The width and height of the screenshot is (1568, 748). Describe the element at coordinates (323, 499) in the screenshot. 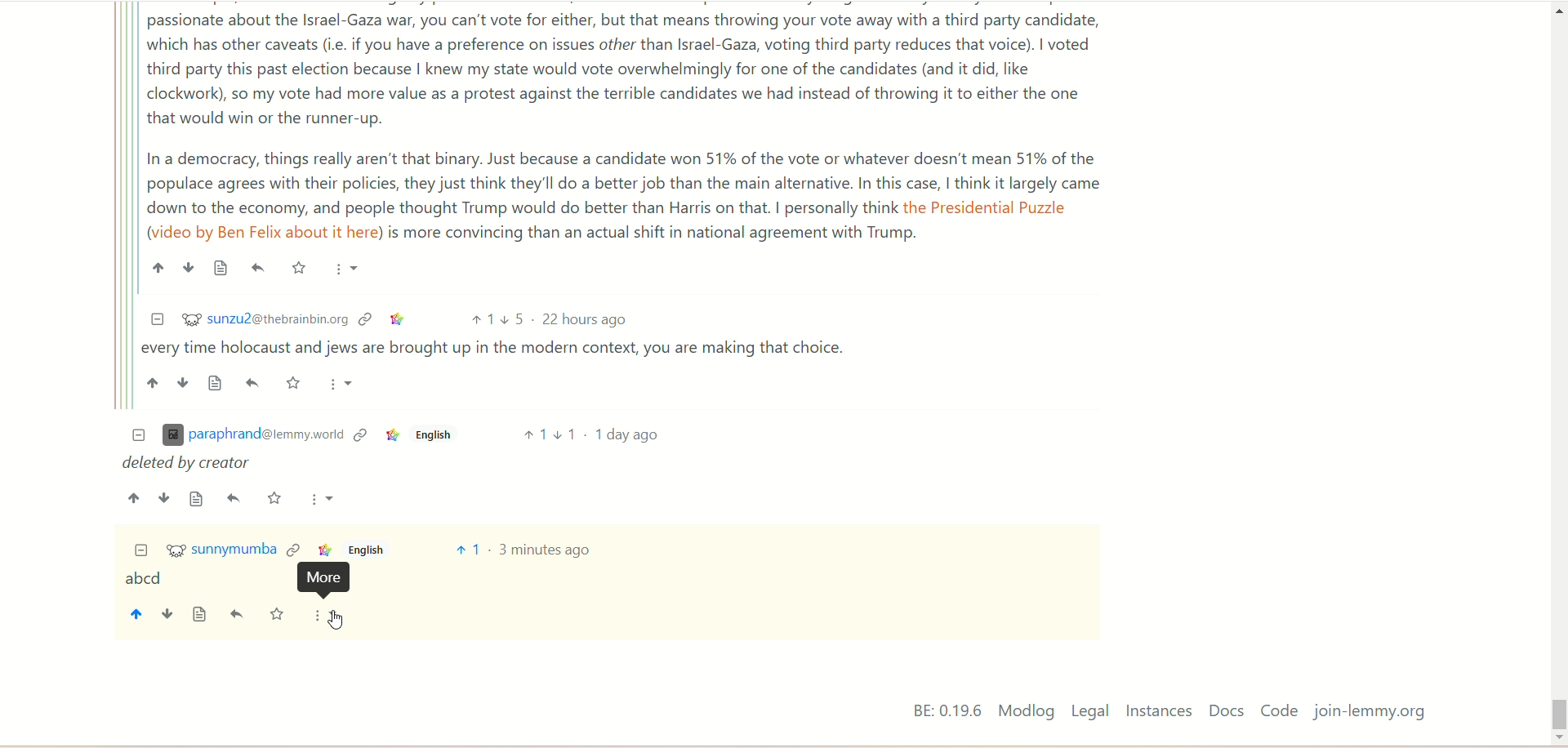

I see `More` at that location.